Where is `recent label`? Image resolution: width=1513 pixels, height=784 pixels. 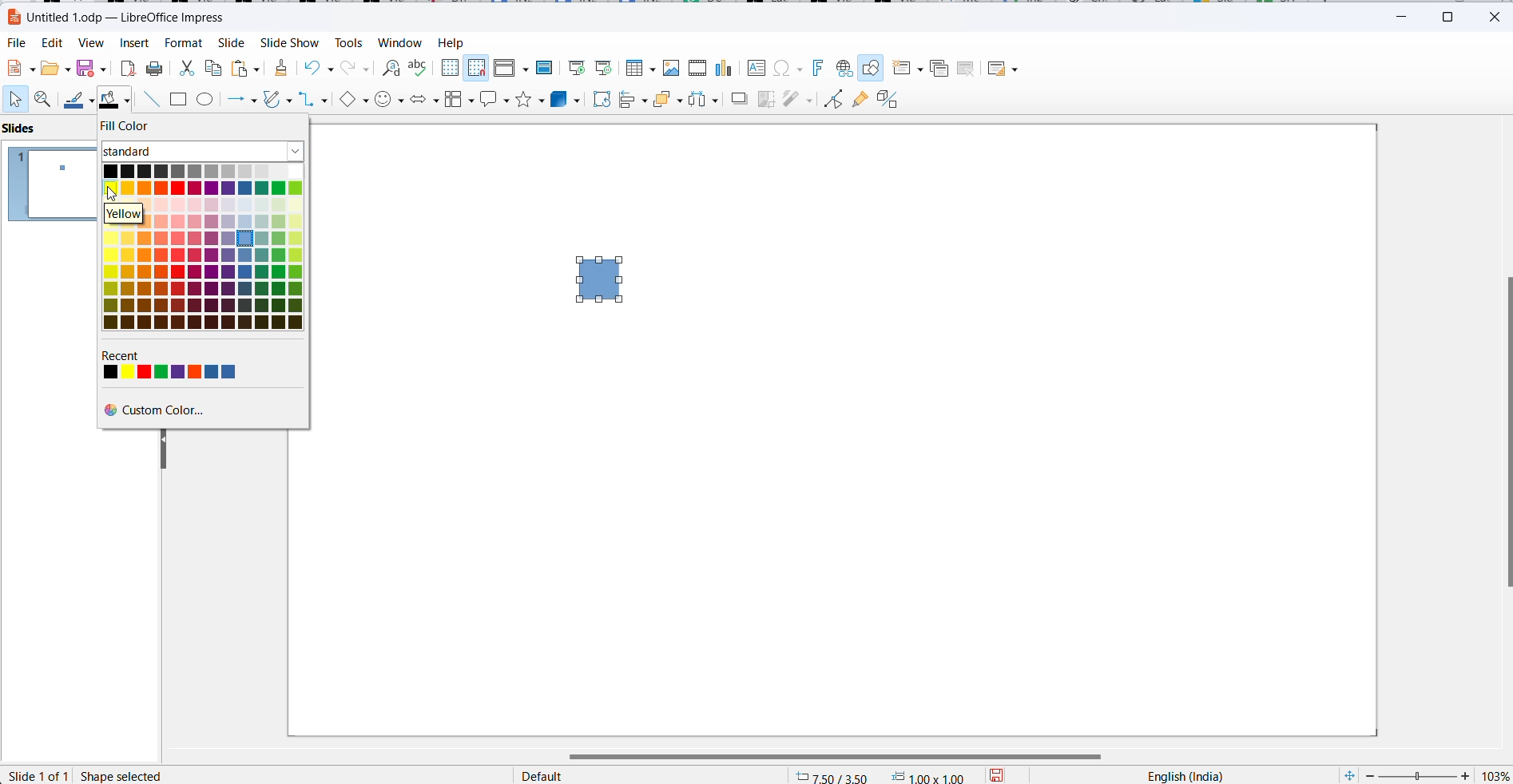 recent label is located at coordinates (128, 355).